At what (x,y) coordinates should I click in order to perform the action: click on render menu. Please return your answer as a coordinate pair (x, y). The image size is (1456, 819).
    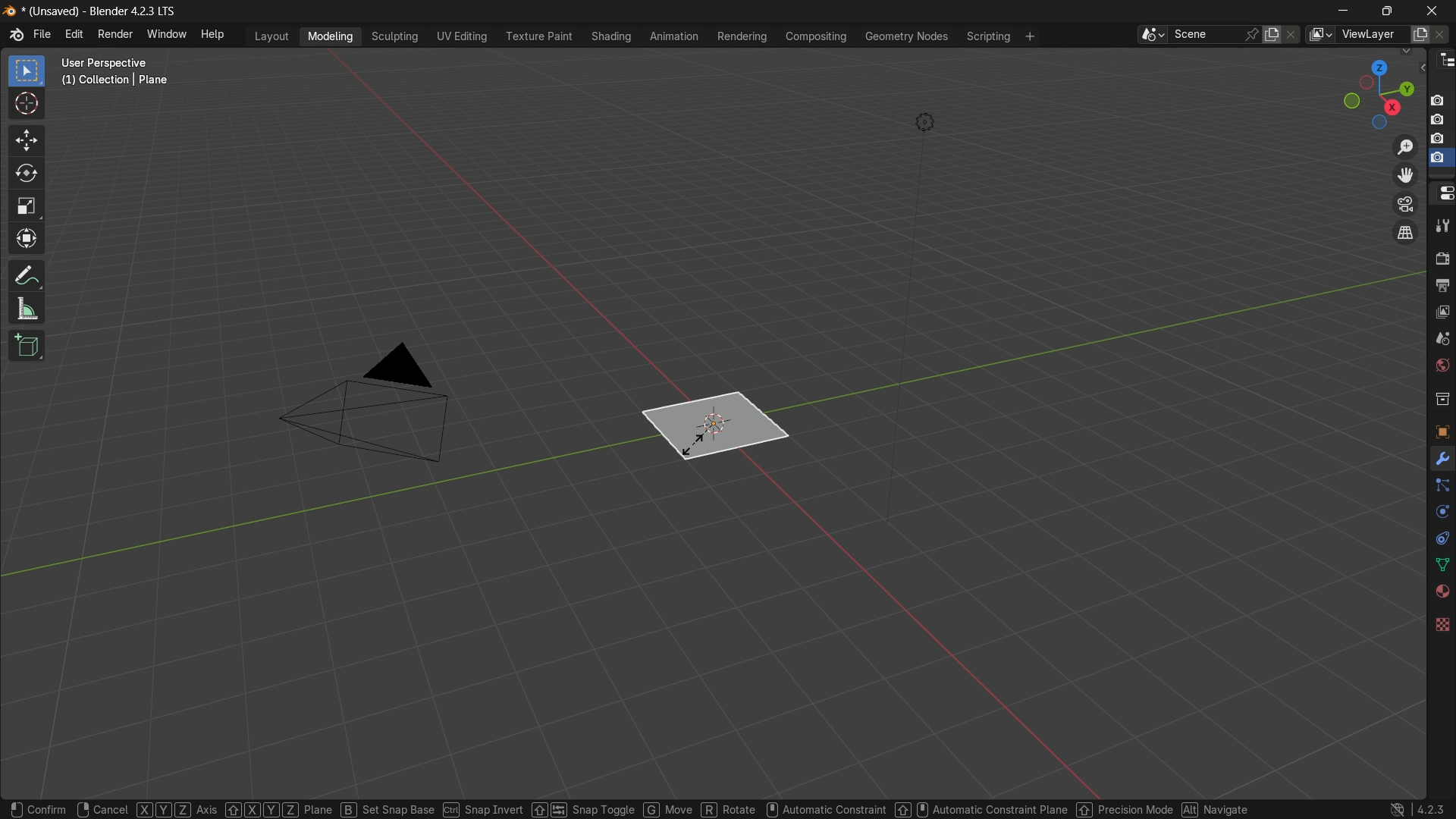
    Looking at the image, I should click on (117, 36).